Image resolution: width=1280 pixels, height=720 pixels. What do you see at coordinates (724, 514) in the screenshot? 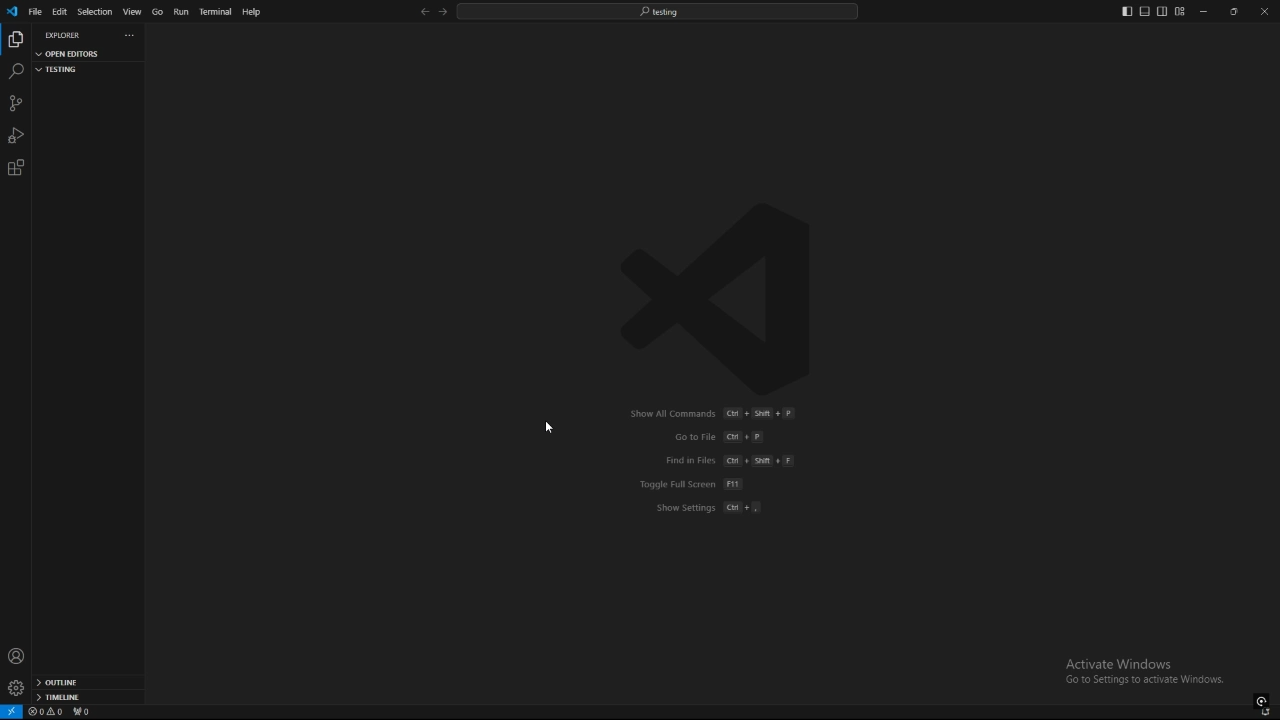
I see `Show Settings CTRL + ,` at bounding box center [724, 514].